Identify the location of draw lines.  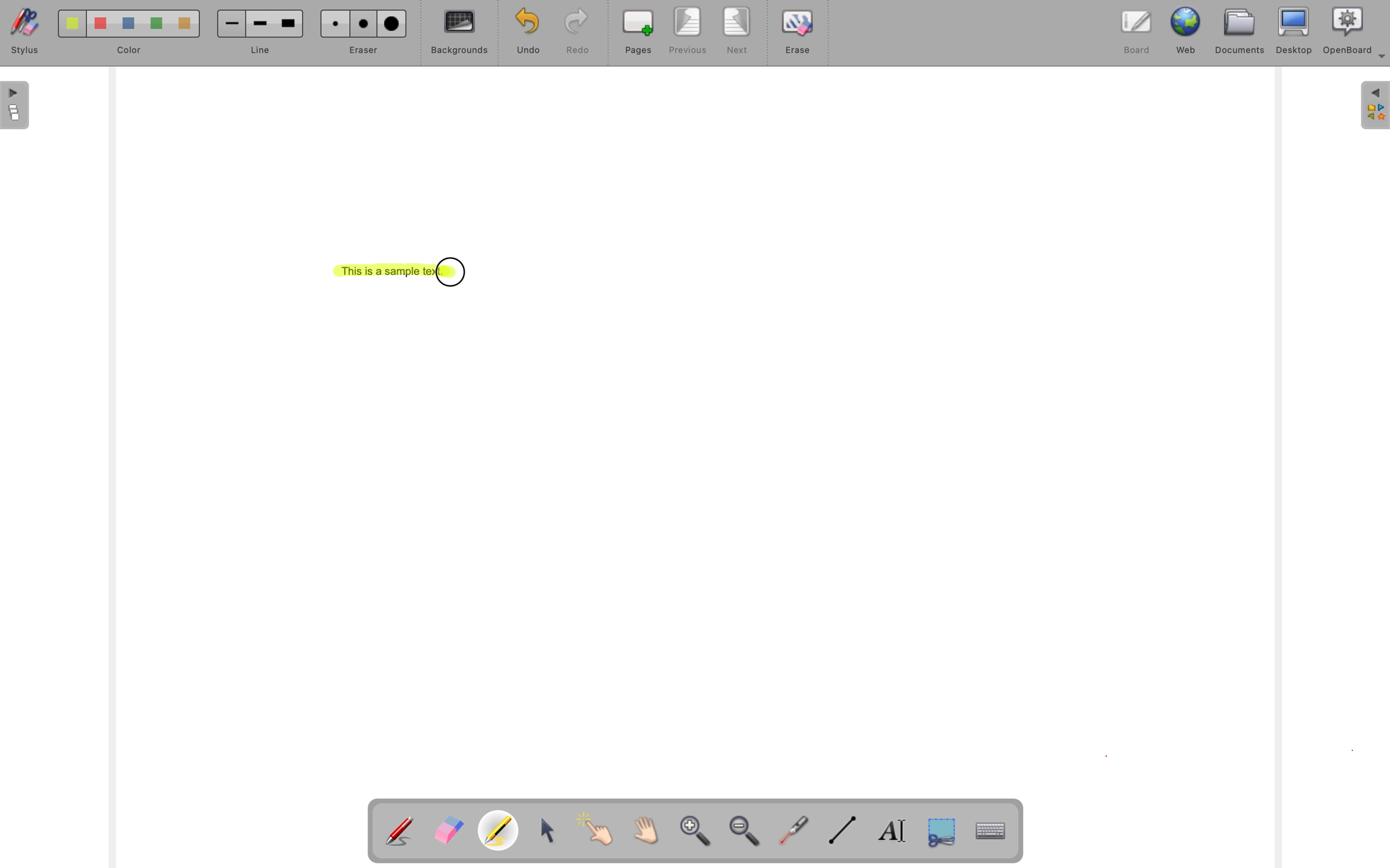
(843, 830).